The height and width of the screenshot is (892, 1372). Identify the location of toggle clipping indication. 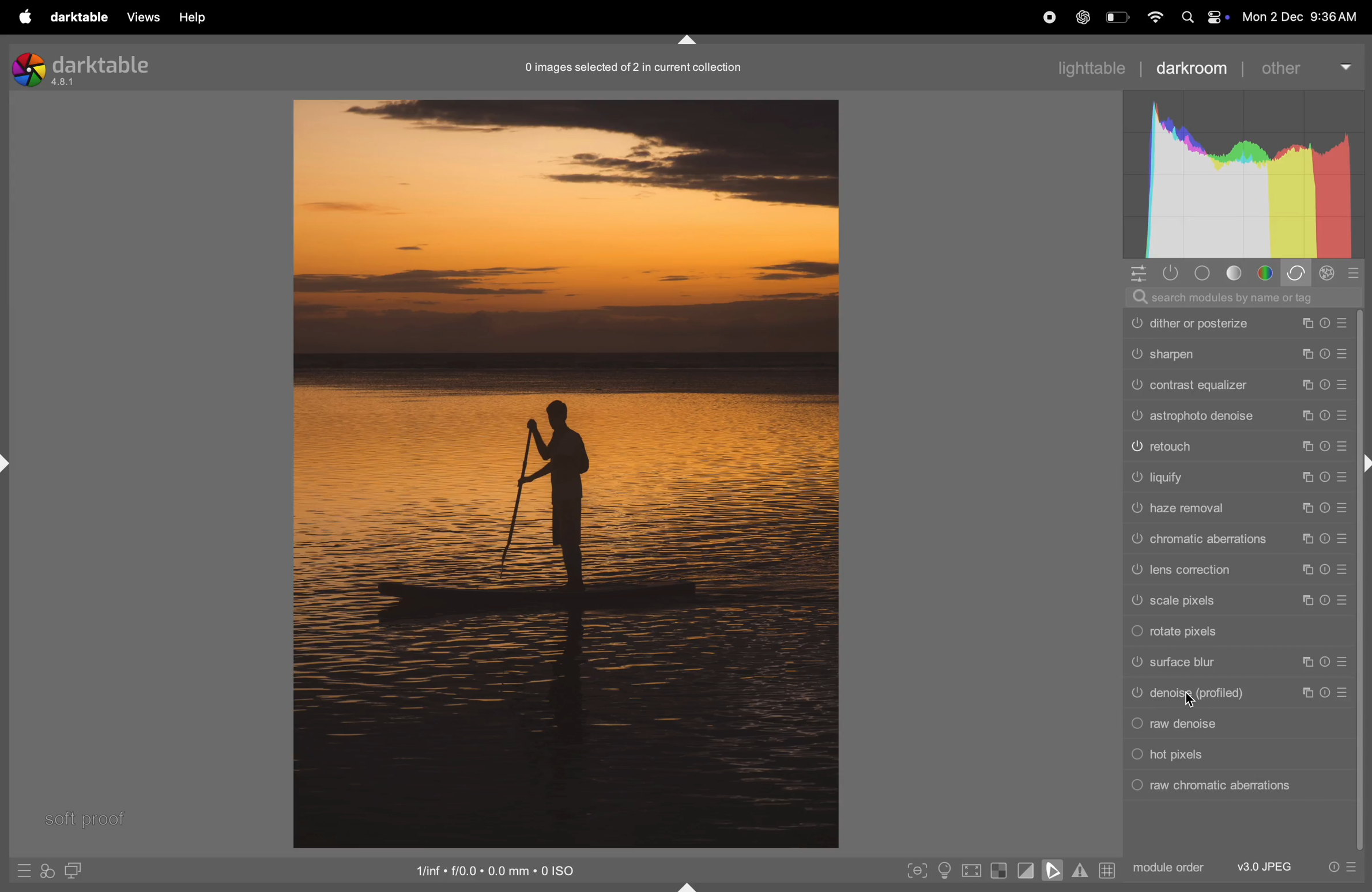
(1024, 872).